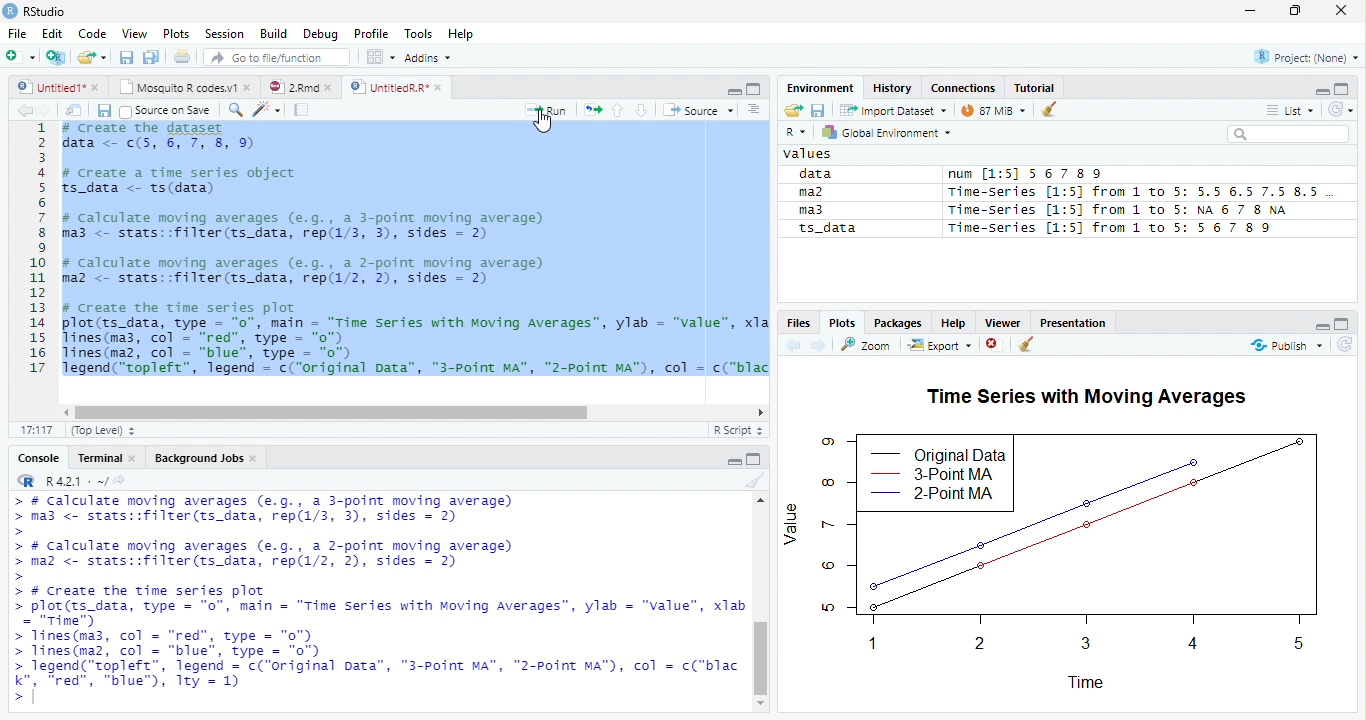 This screenshot has height=720, width=1366. What do you see at coordinates (886, 133) in the screenshot?
I see `Global Environment` at bounding box center [886, 133].